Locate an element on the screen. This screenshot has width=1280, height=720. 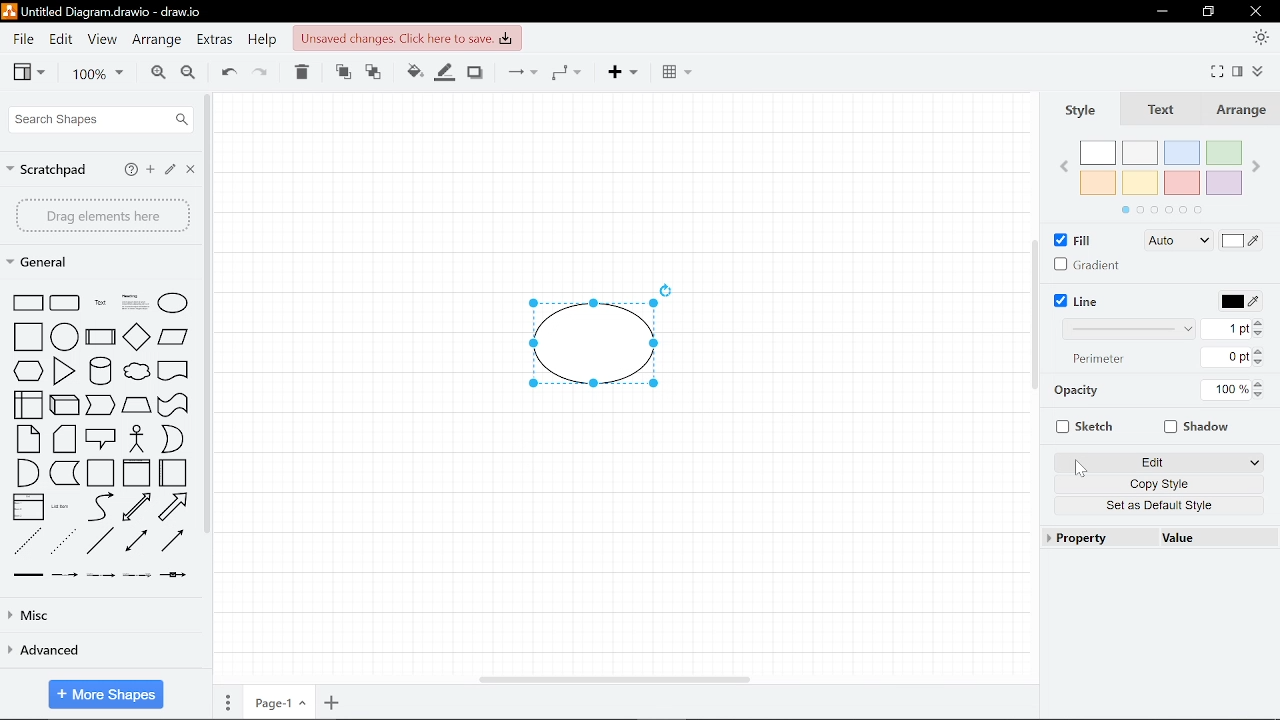
heading is located at coordinates (134, 302).